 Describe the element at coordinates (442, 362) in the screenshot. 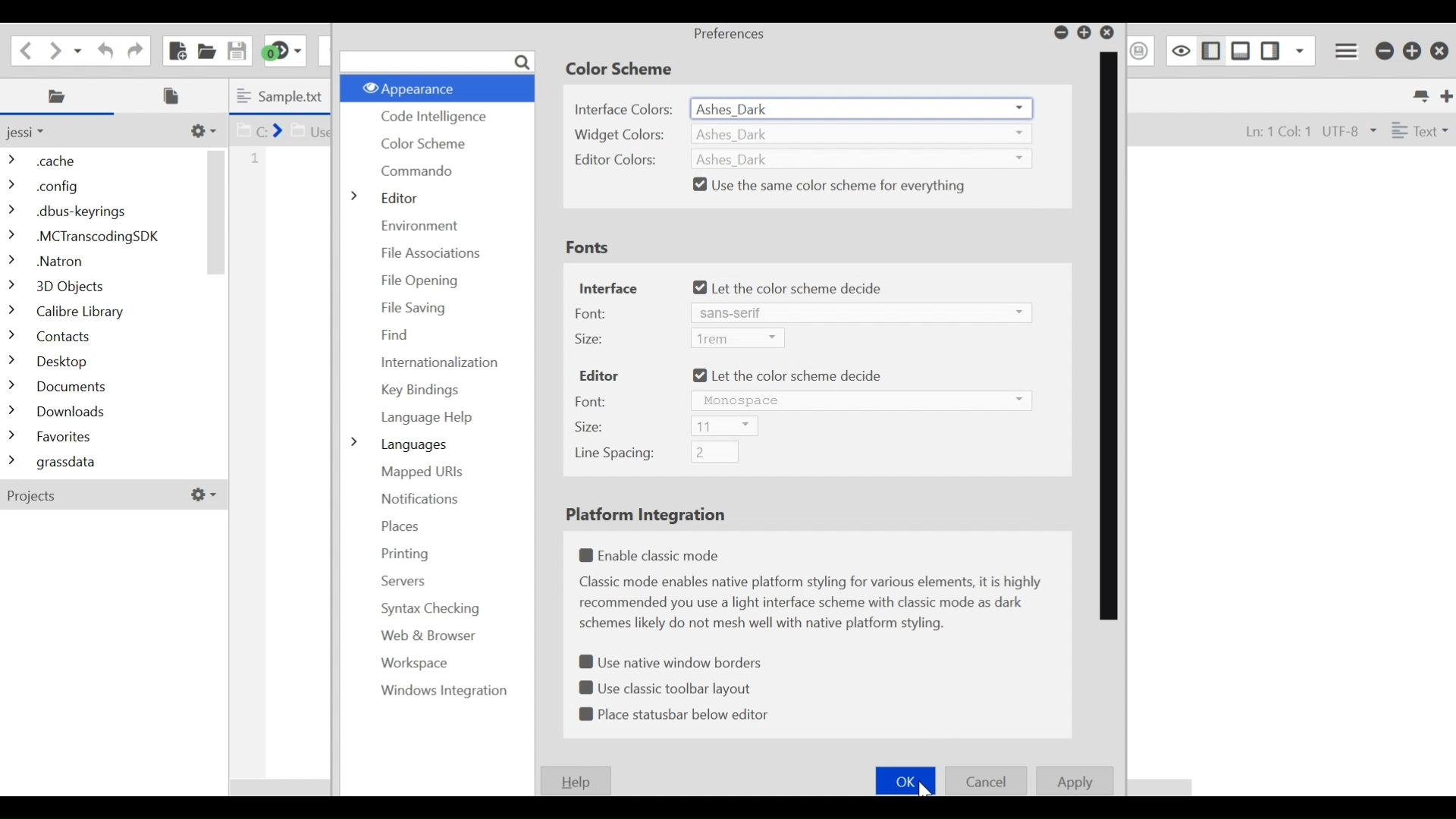

I see `Internationalization` at that location.